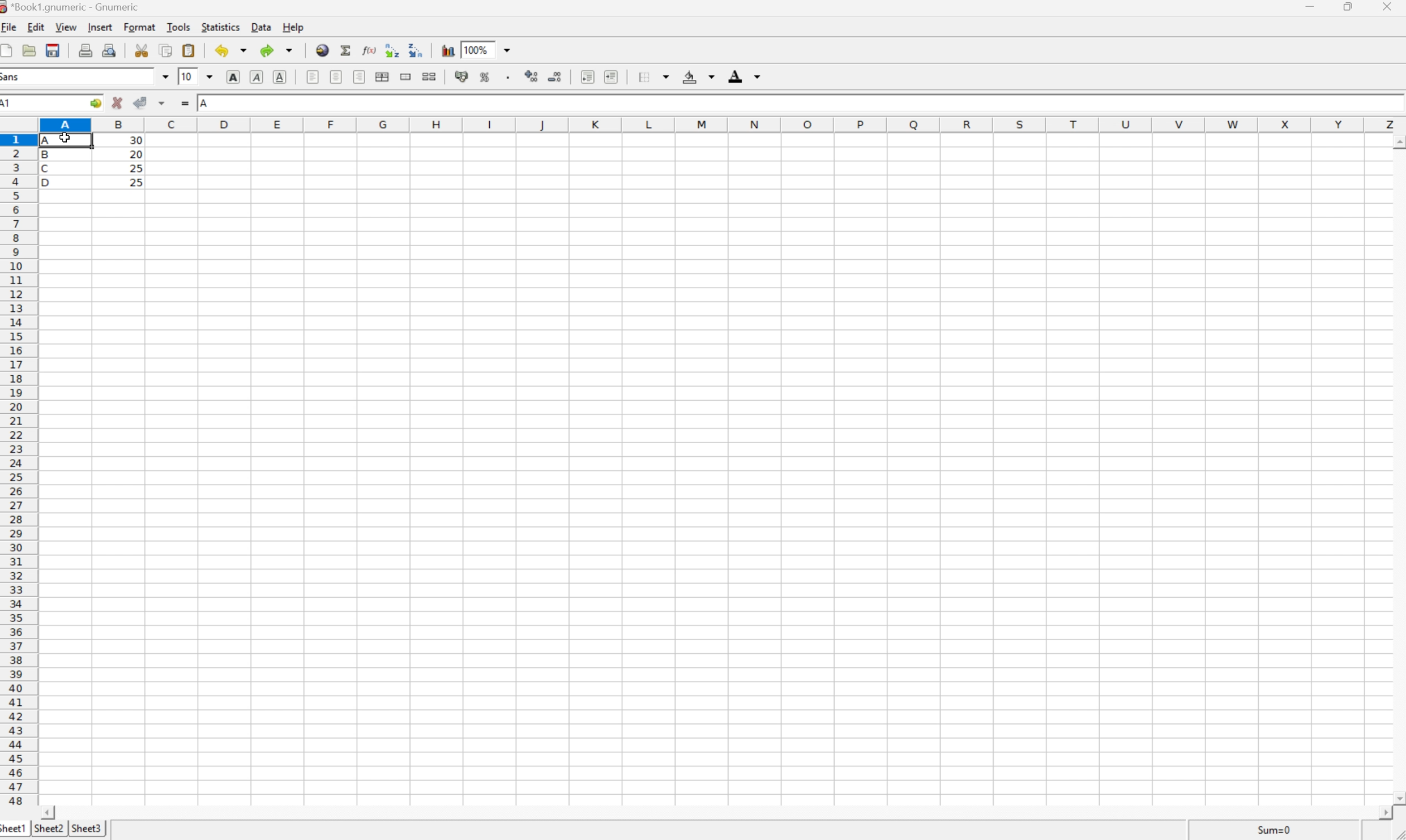 This screenshot has height=840, width=1406. Describe the element at coordinates (511, 49) in the screenshot. I see `Drop Down` at that location.